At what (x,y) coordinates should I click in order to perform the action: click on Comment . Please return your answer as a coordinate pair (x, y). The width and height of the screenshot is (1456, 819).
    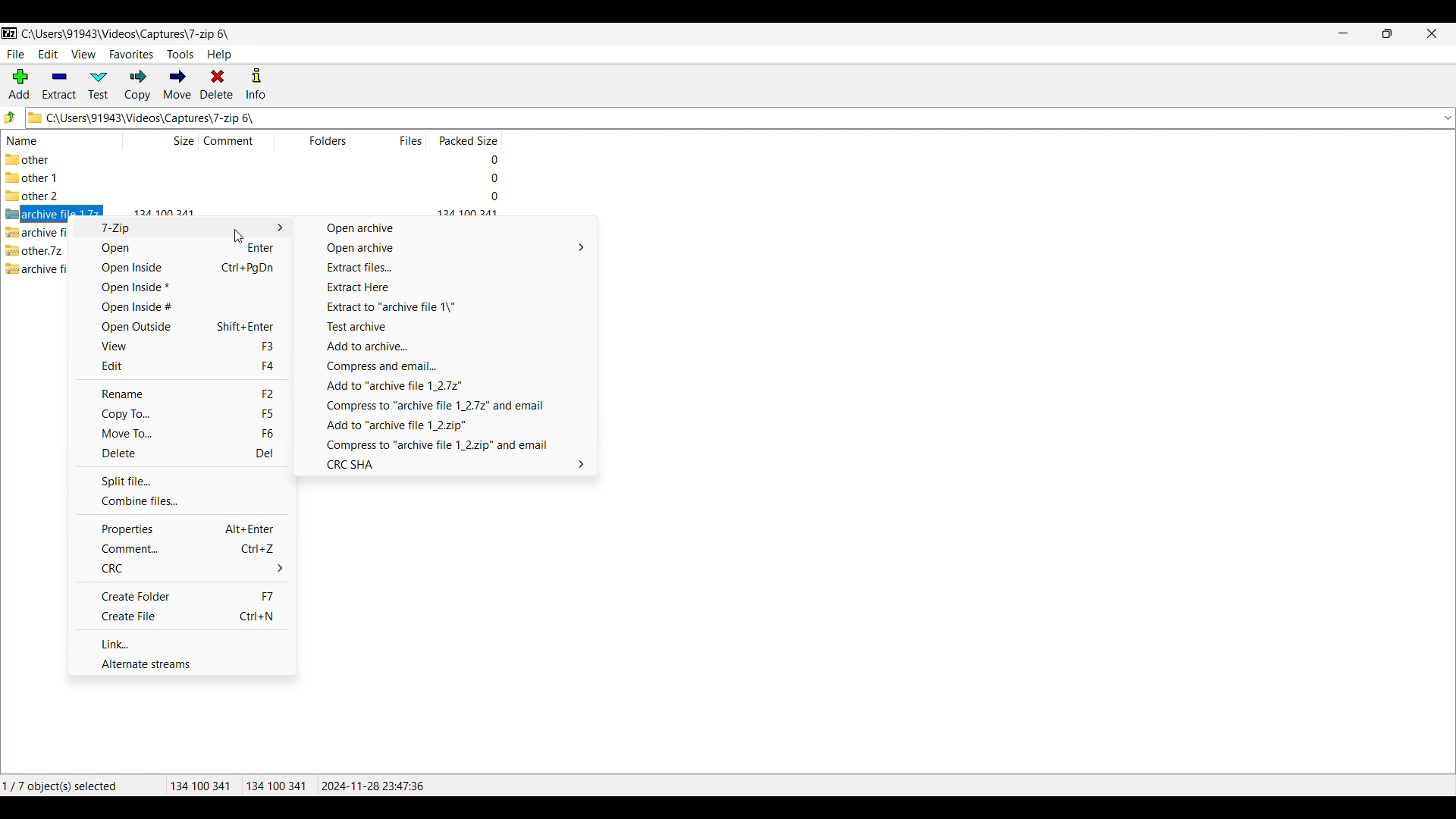
    Looking at the image, I should click on (237, 140).